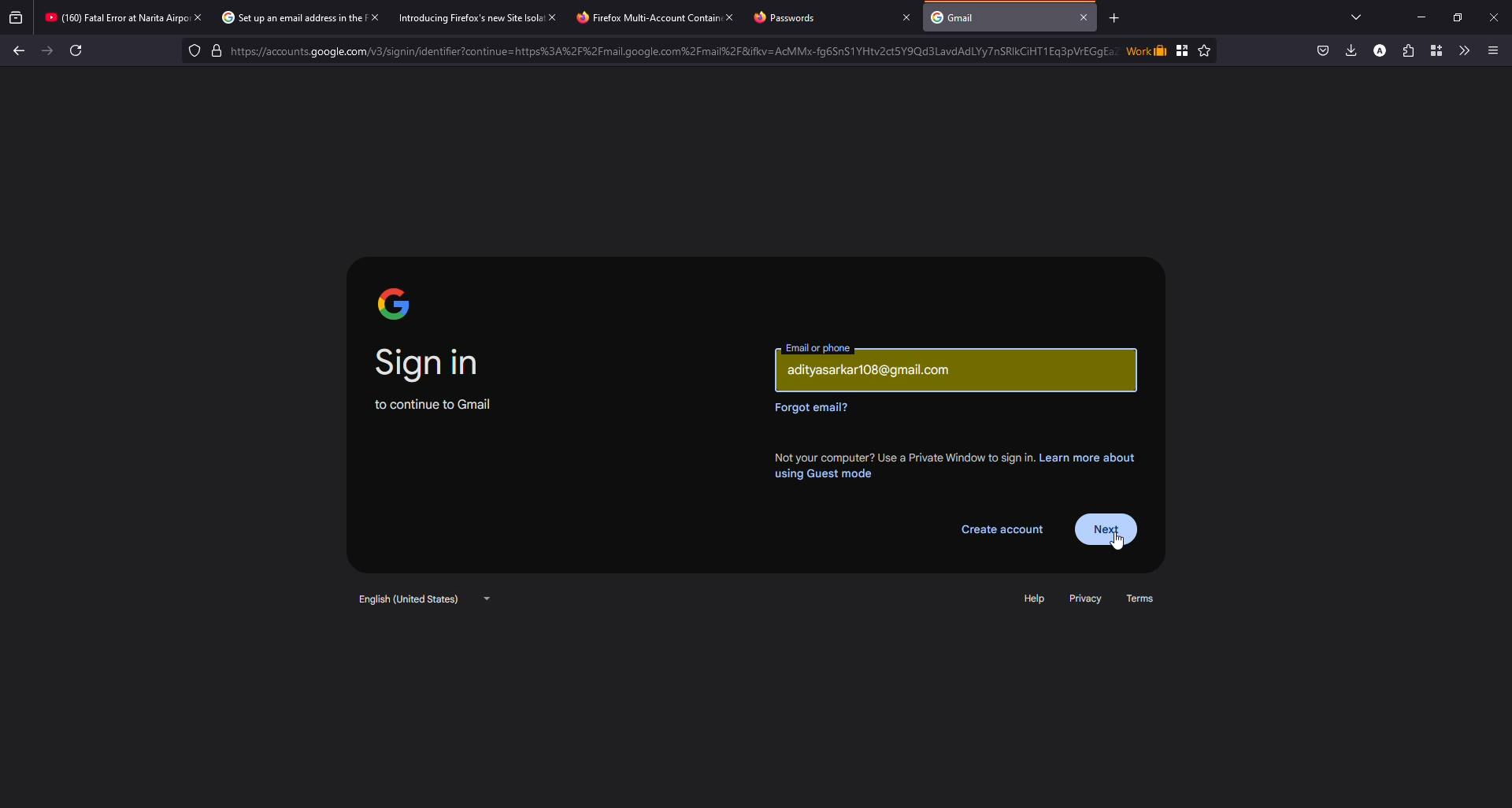 The width and height of the screenshot is (1512, 808). What do you see at coordinates (376, 18) in the screenshot?
I see `close` at bounding box center [376, 18].